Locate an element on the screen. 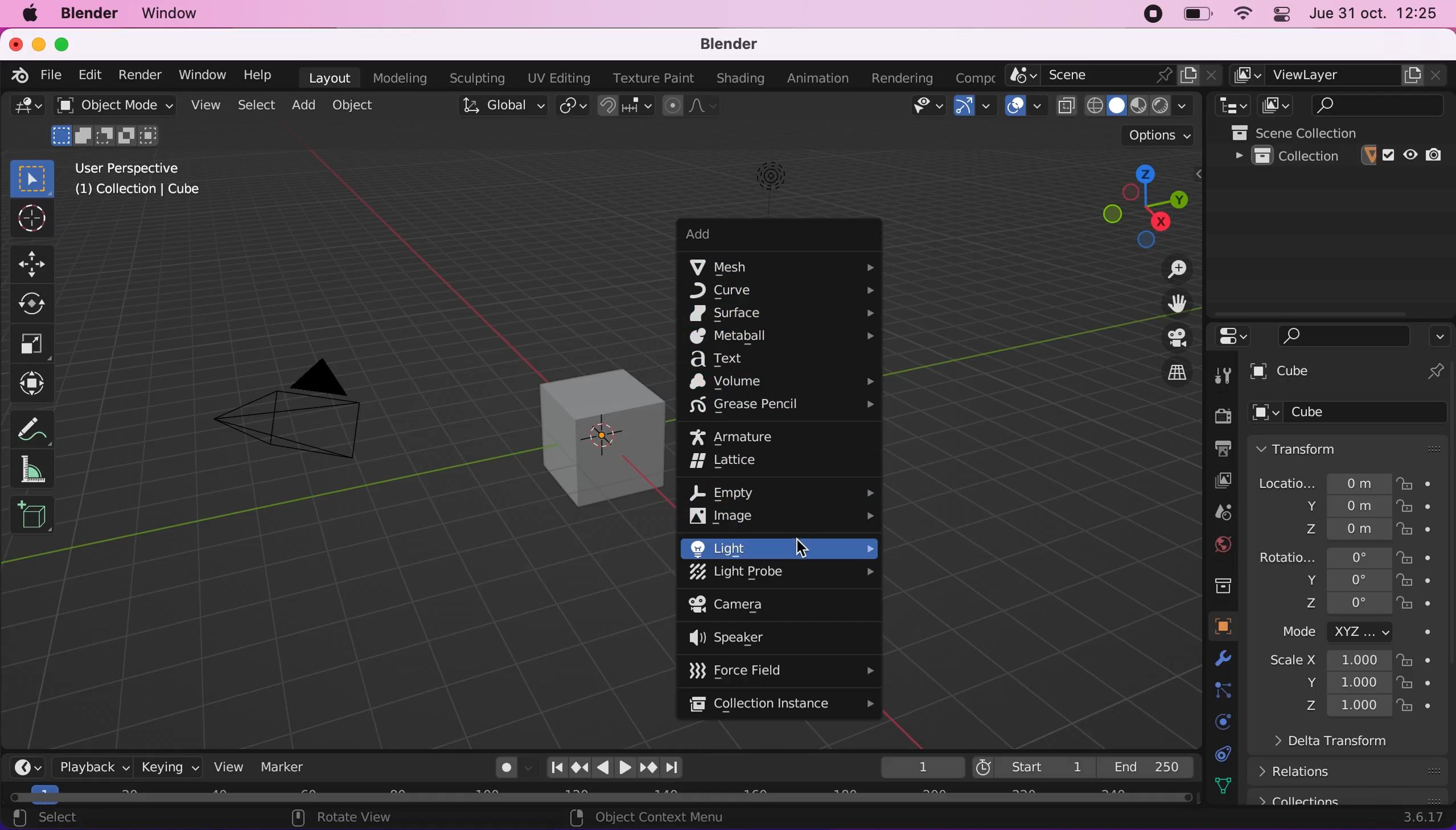  z 1.000 is located at coordinates (1348, 707).